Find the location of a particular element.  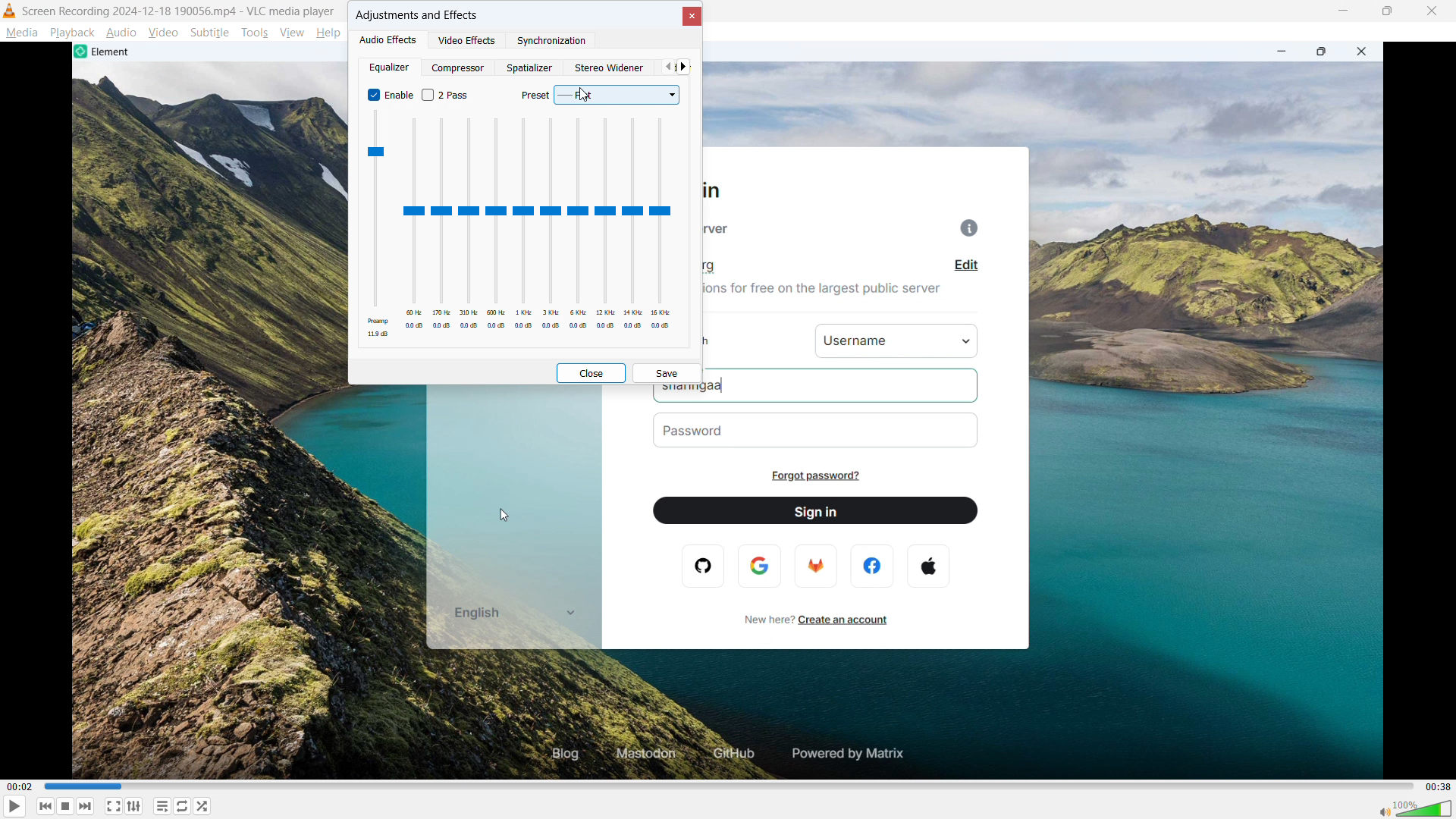

Previous tab  is located at coordinates (667, 67).